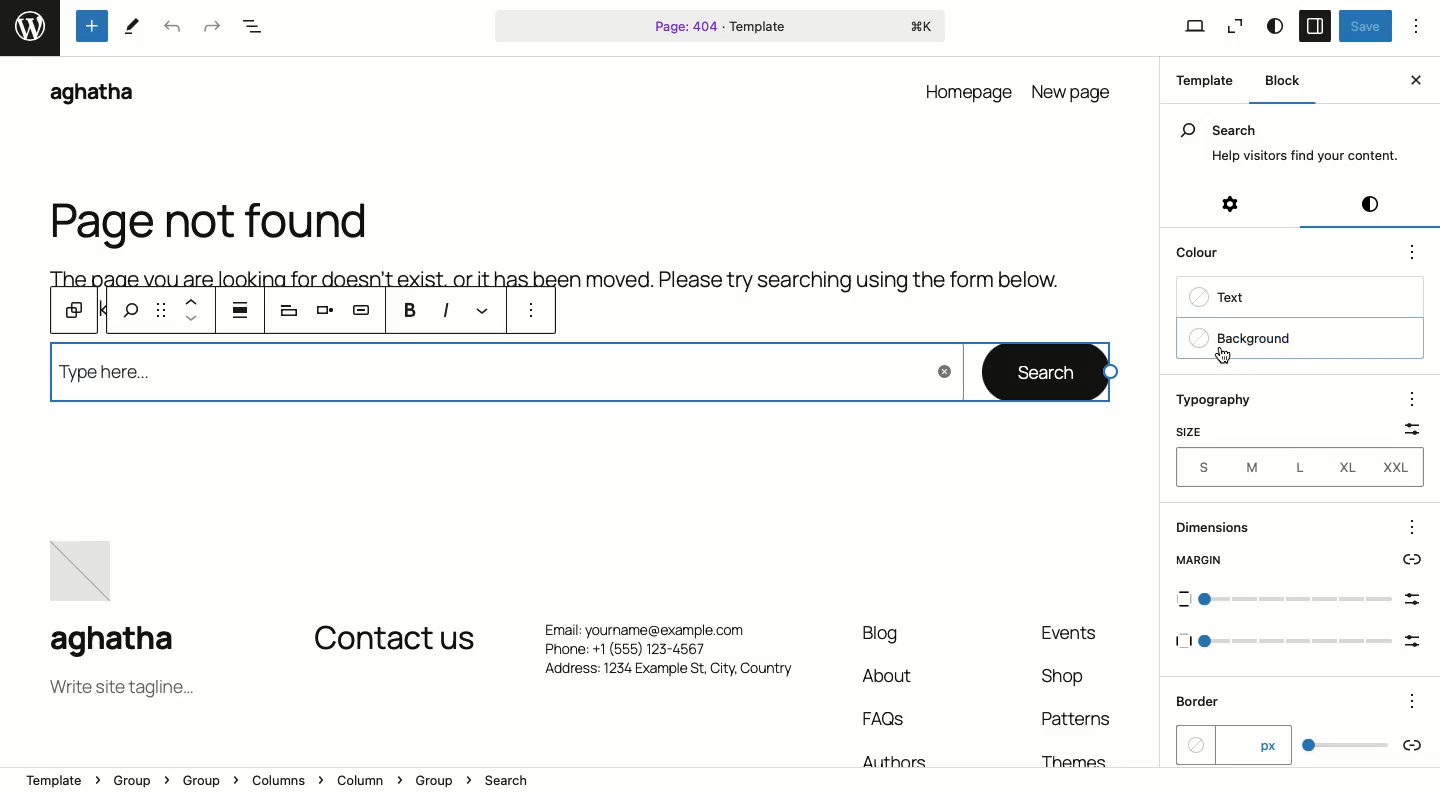  Describe the element at coordinates (1302, 131) in the screenshot. I see `Search` at that location.